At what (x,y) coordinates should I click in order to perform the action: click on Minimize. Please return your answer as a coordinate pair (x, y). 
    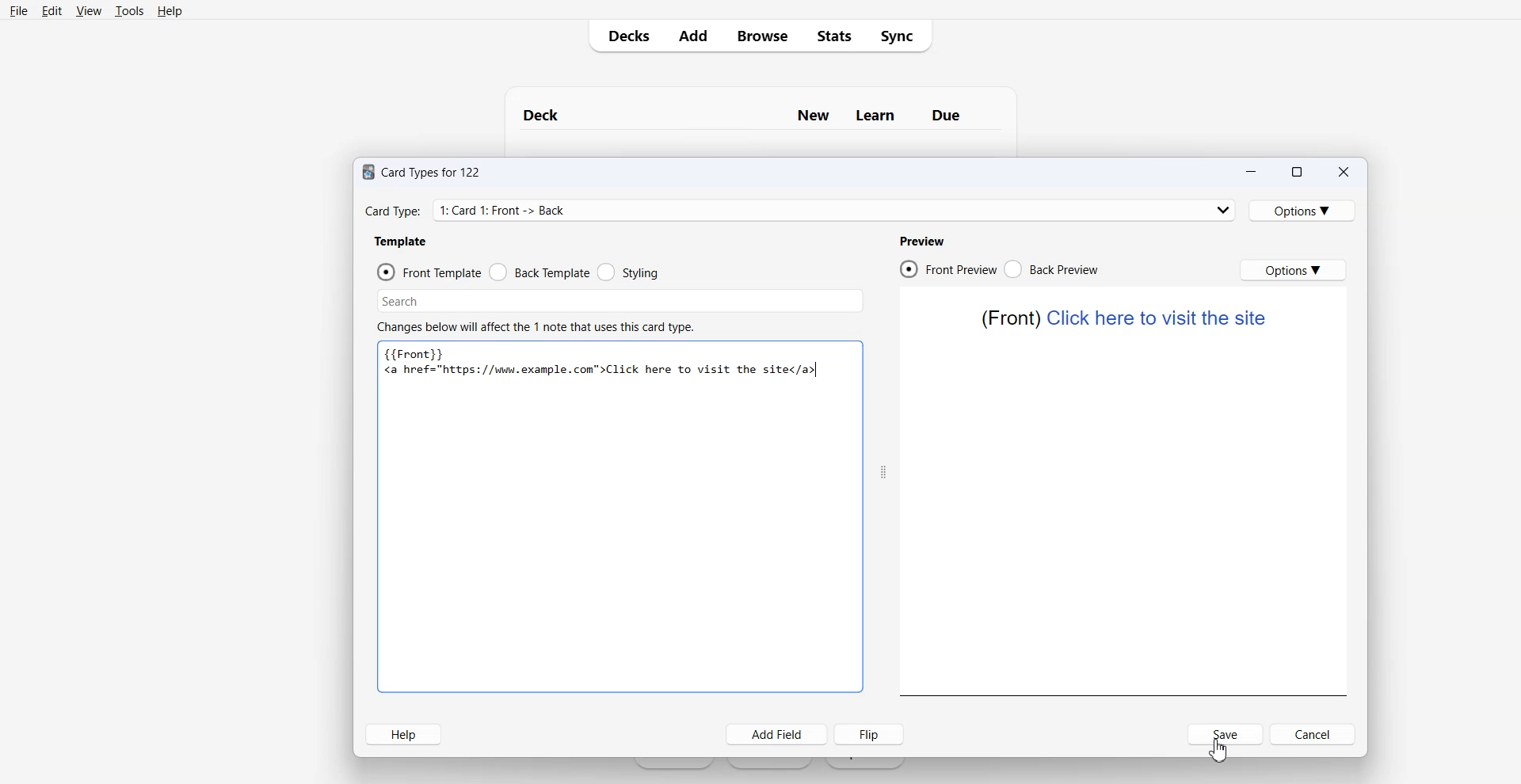
    Looking at the image, I should click on (1251, 171).